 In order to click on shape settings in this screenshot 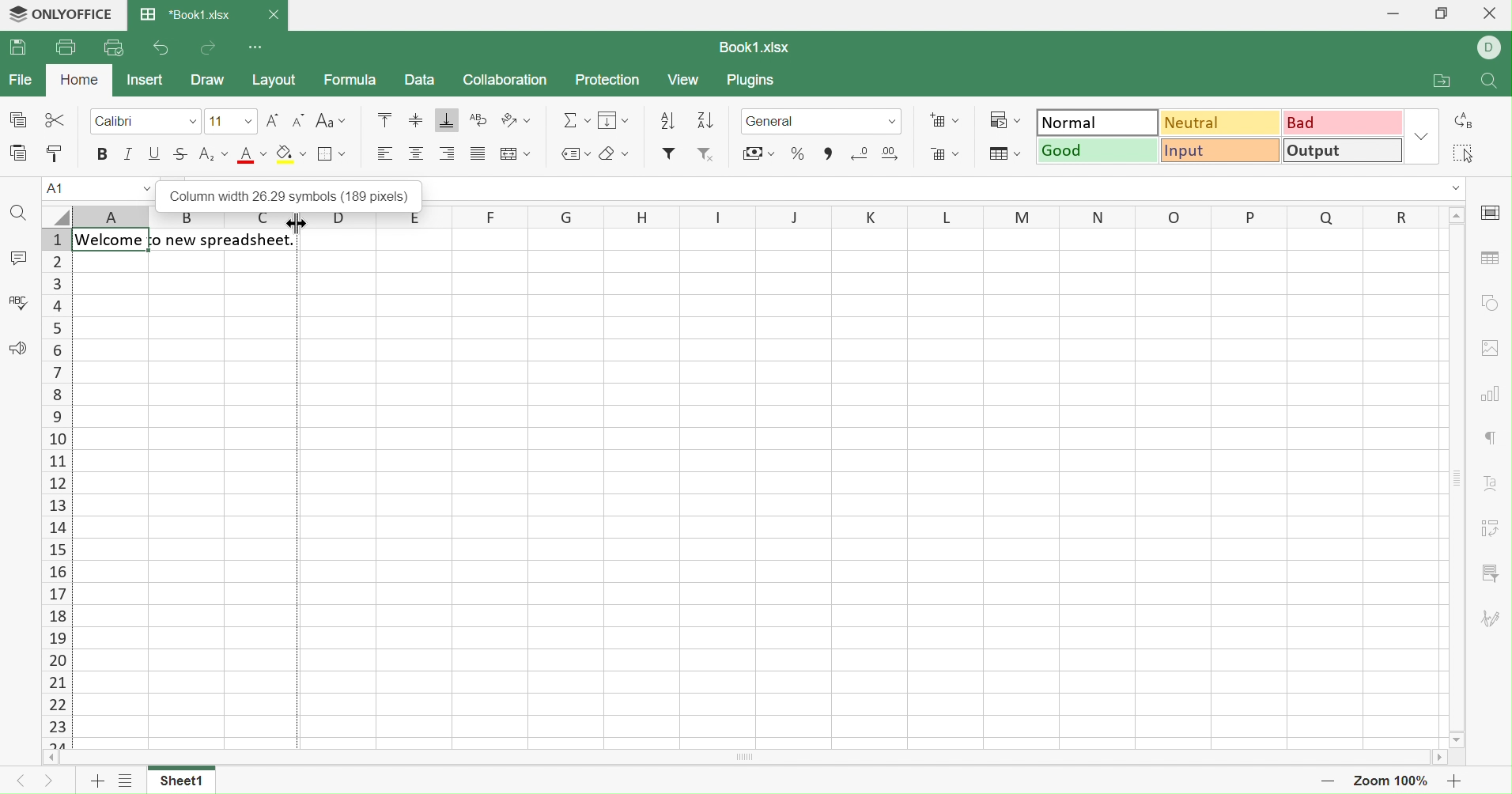, I will do `click(1493, 300)`.